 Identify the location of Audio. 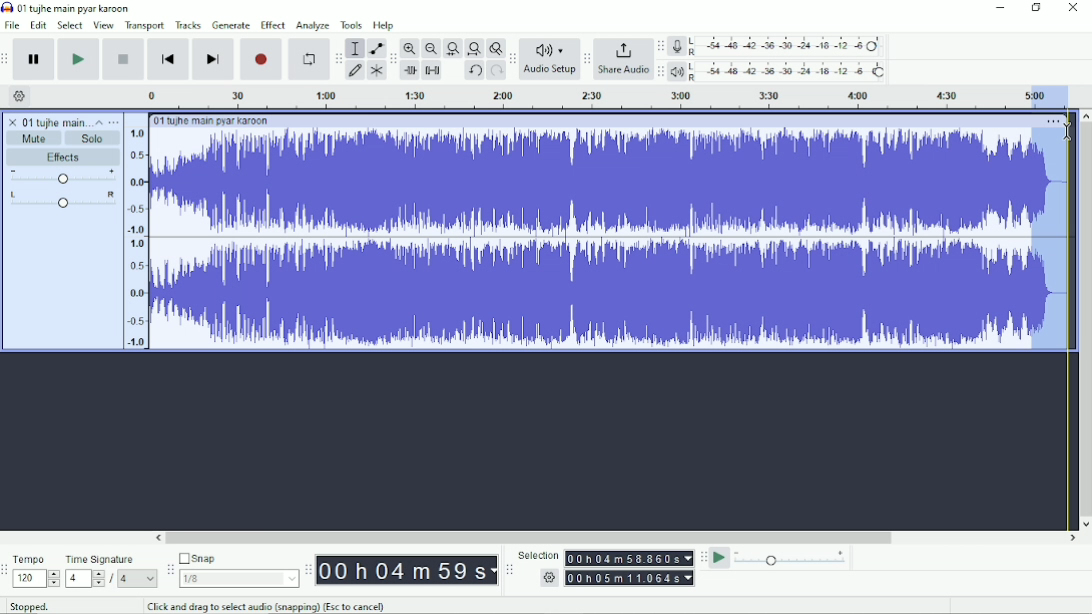
(612, 240).